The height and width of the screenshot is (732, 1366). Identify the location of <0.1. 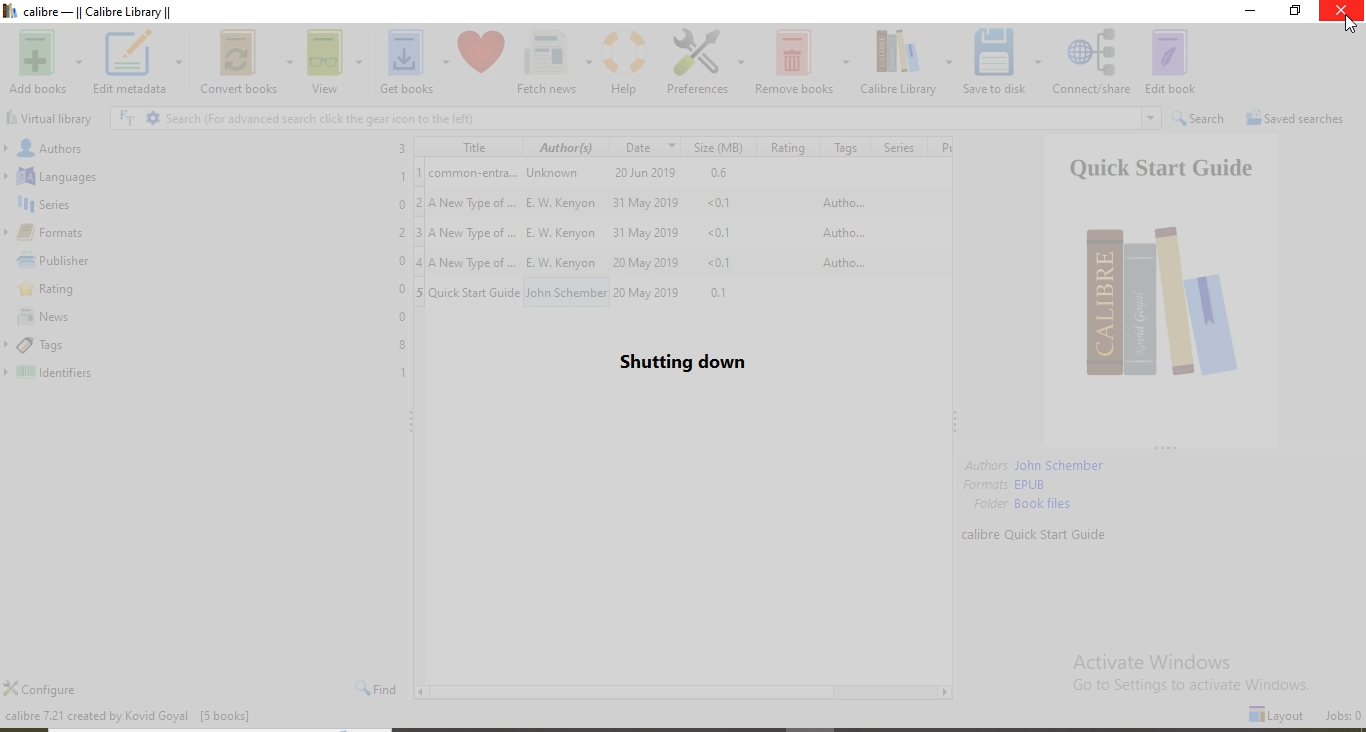
(726, 202).